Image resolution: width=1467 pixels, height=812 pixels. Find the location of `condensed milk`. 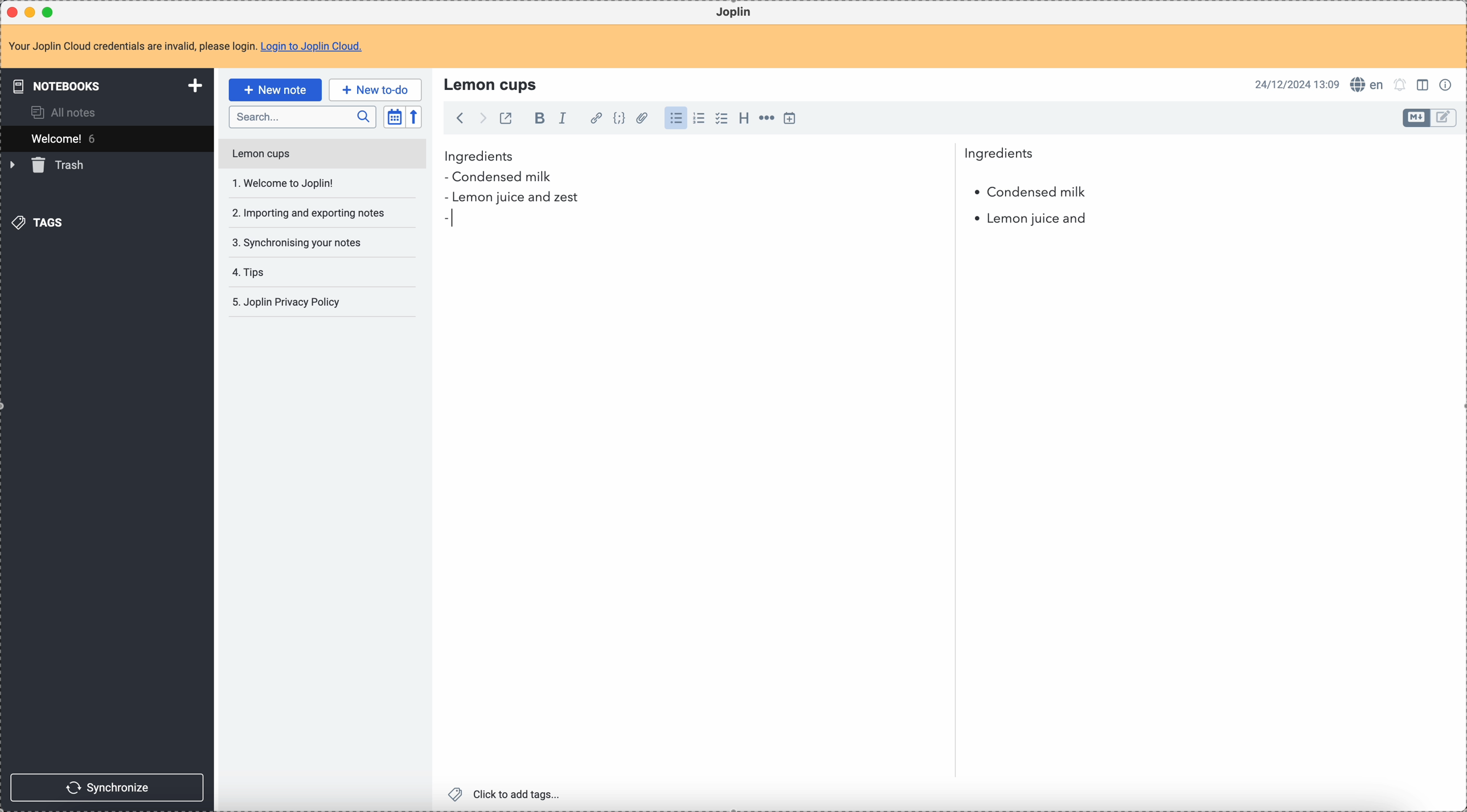

condensed milk is located at coordinates (502, 178).